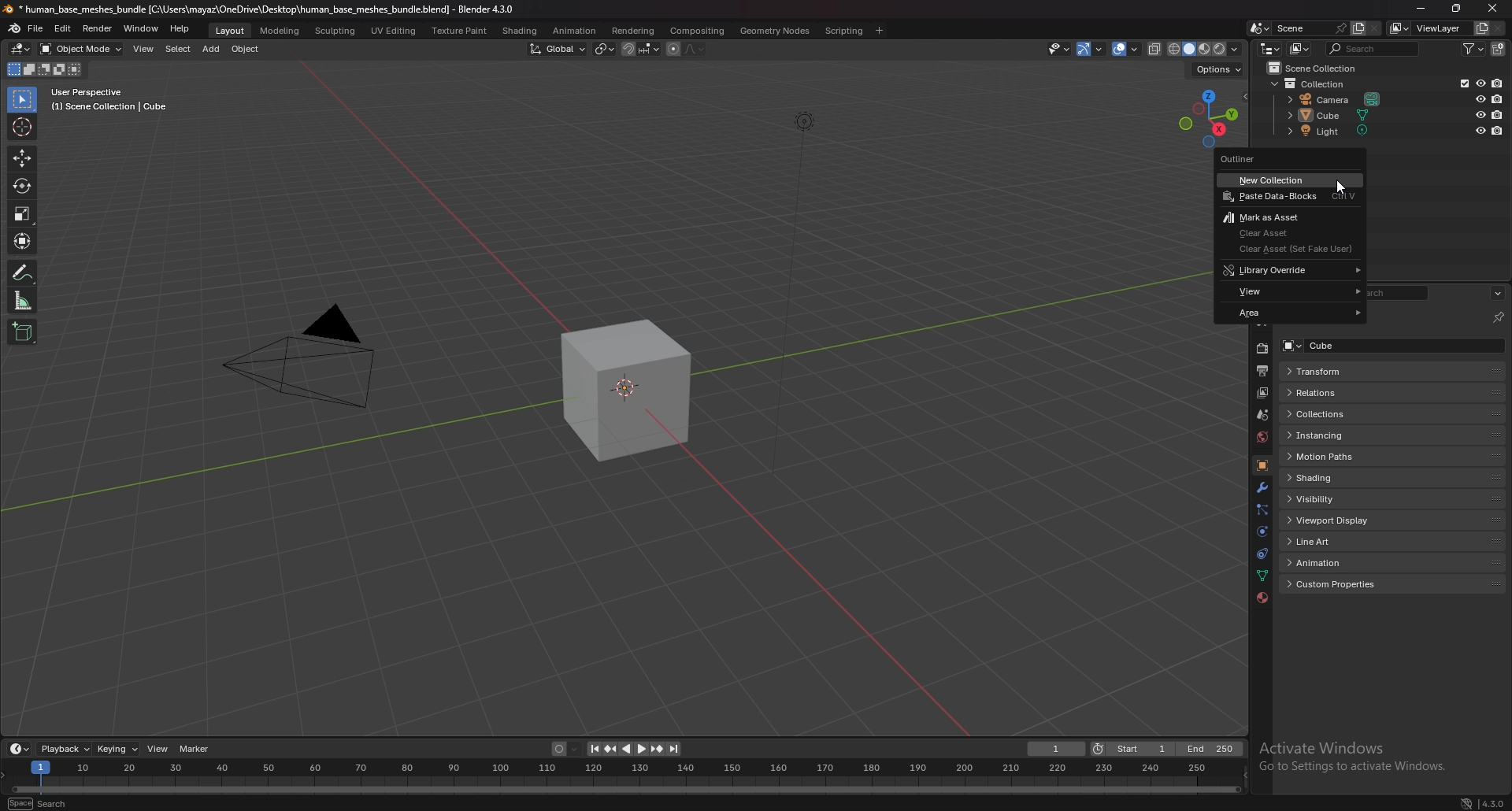 This screenshot has width=1512, height=811. Describe the element at coordinates (45, 71) in the screenshot. I see `mode` at that location.